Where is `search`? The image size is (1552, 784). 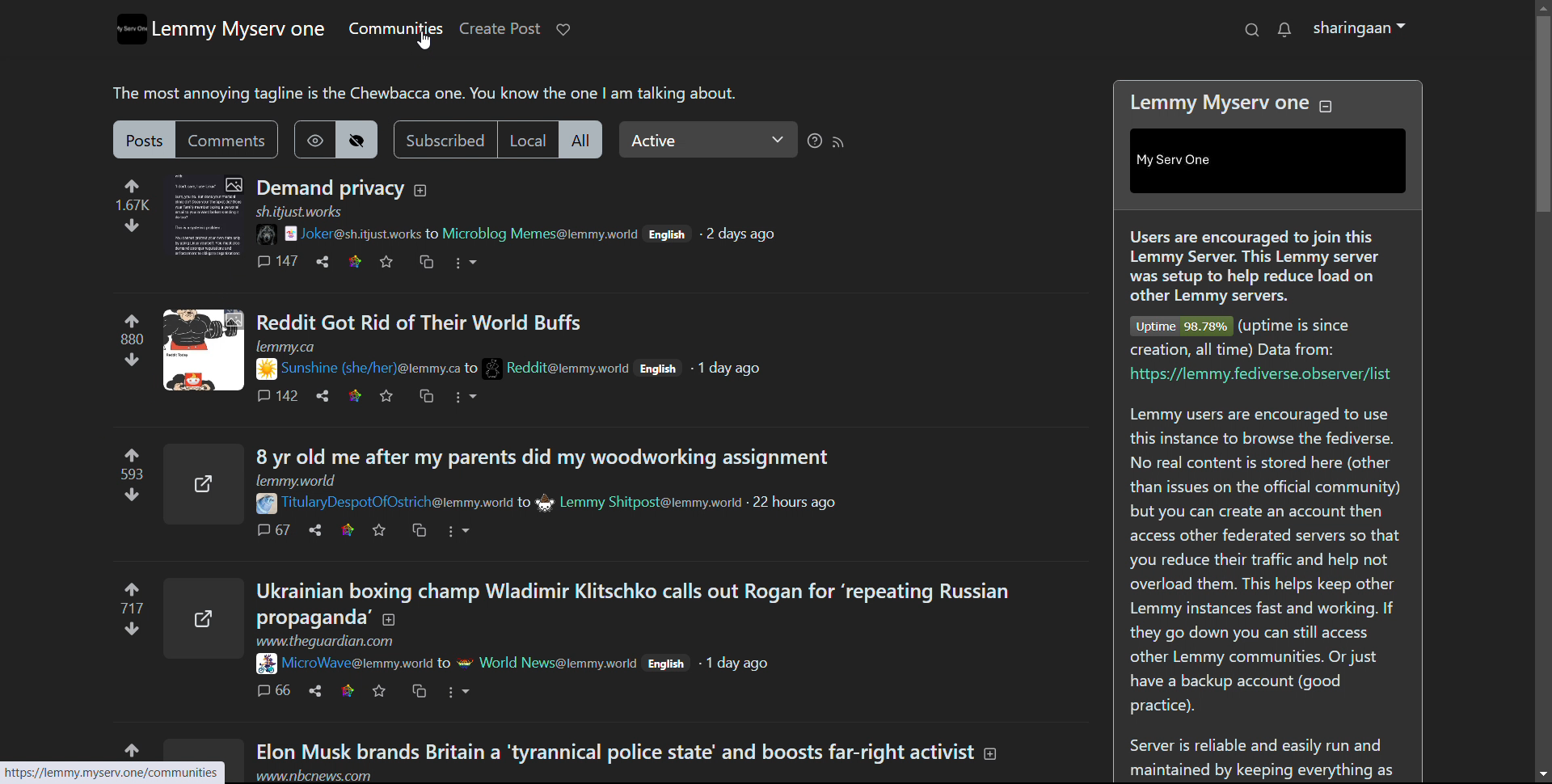
search is located at coordinates (1250, 30).